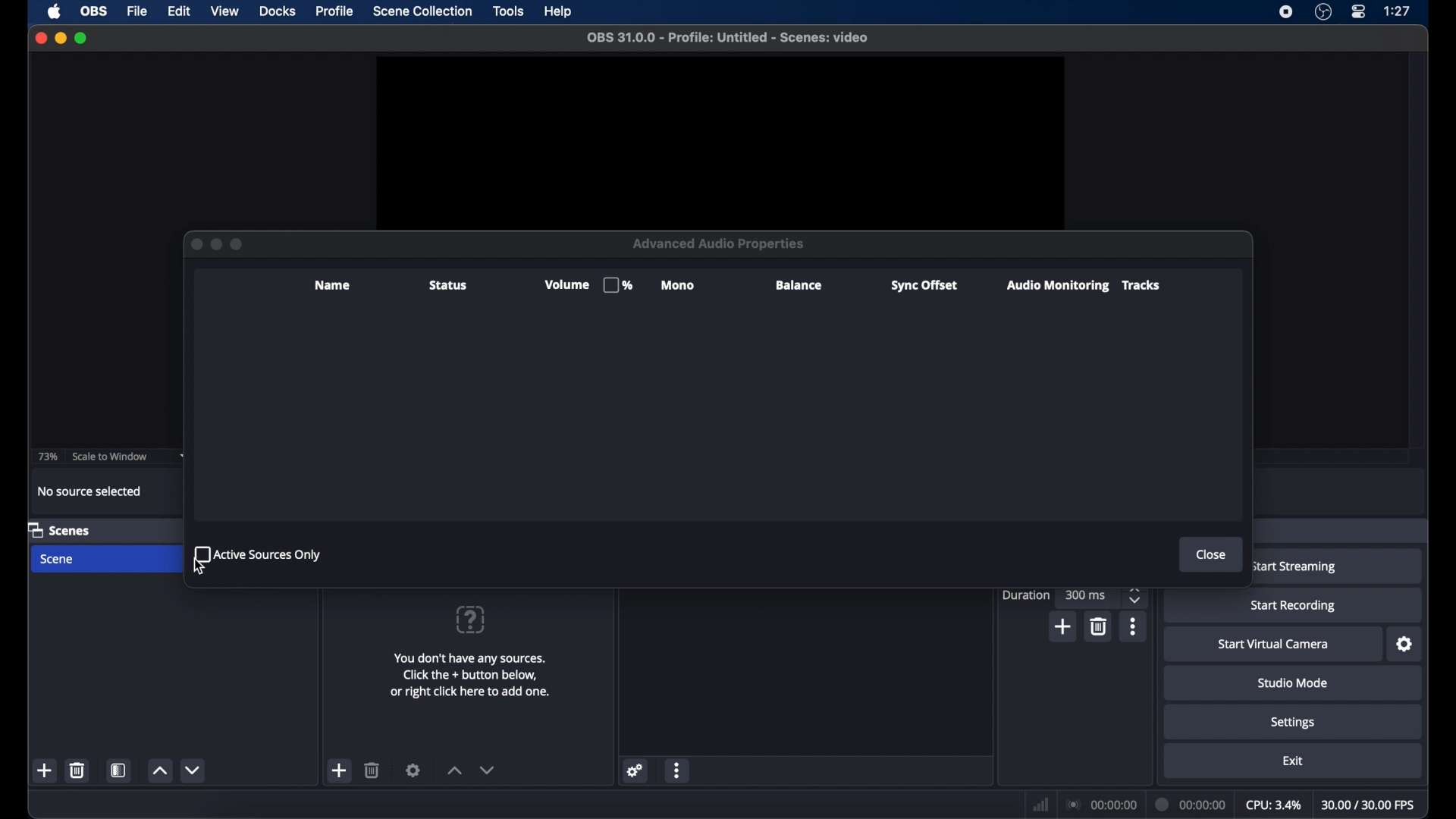 This screenshot has height=819, width=1456. Describe the element at coordinates (1273, 645) in the screenshot. I see `start virtual camera` at that location.